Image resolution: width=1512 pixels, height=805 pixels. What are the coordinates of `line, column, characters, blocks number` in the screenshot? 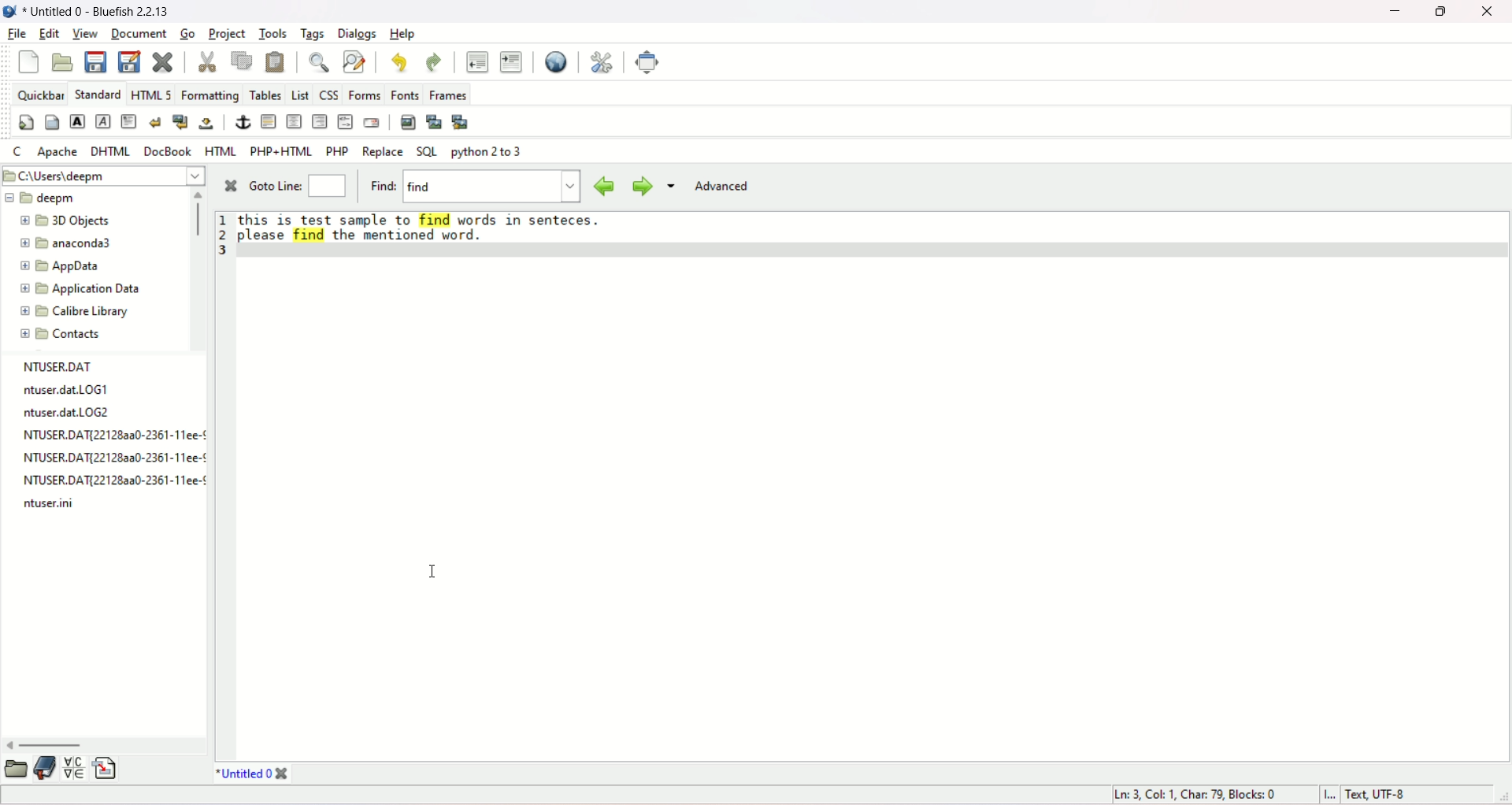 It's located at (1194, 792).